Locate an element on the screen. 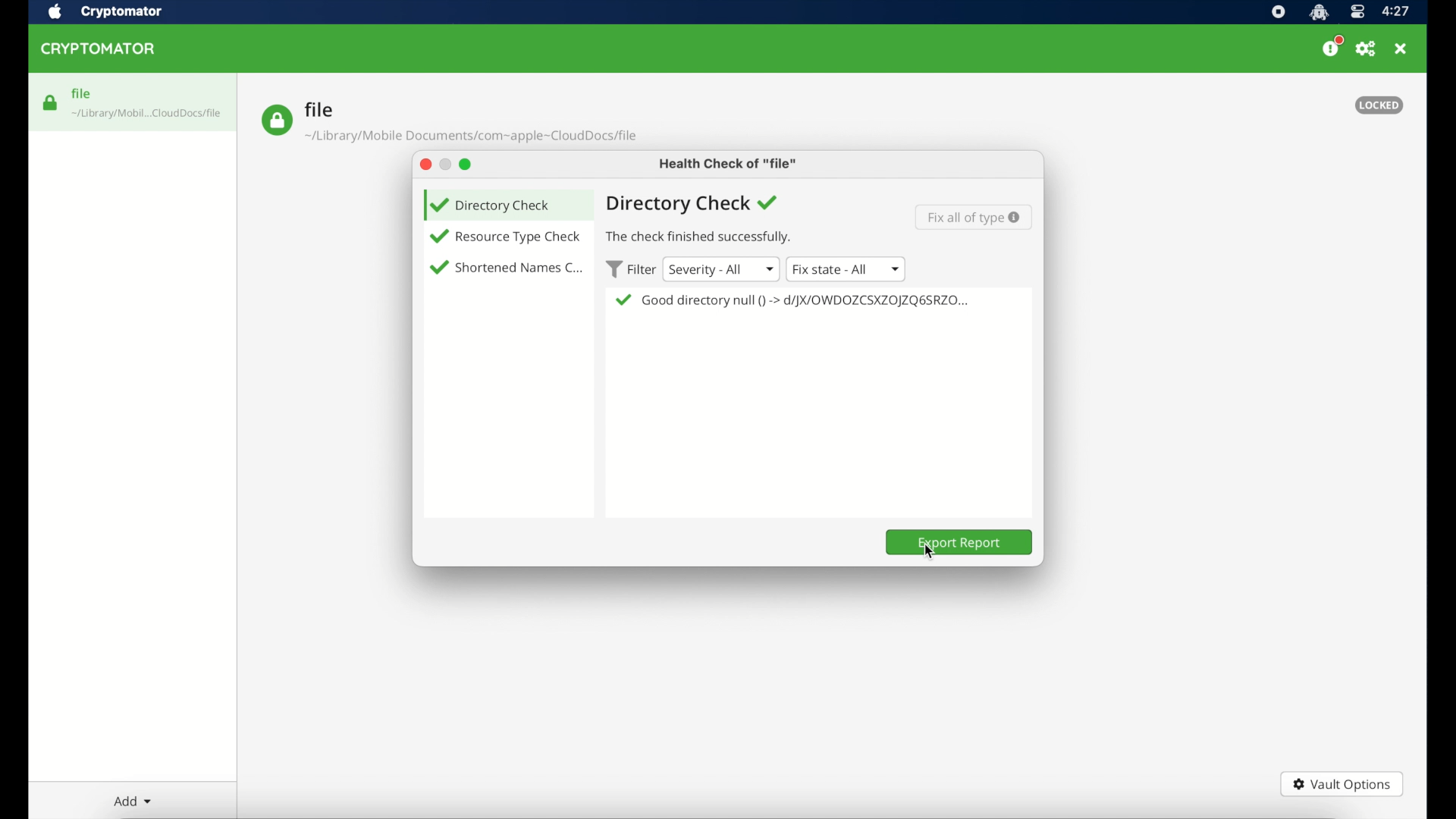 The width and height of the screenshot is (1456, 819). preferences is located at coordinates (1367, 49).